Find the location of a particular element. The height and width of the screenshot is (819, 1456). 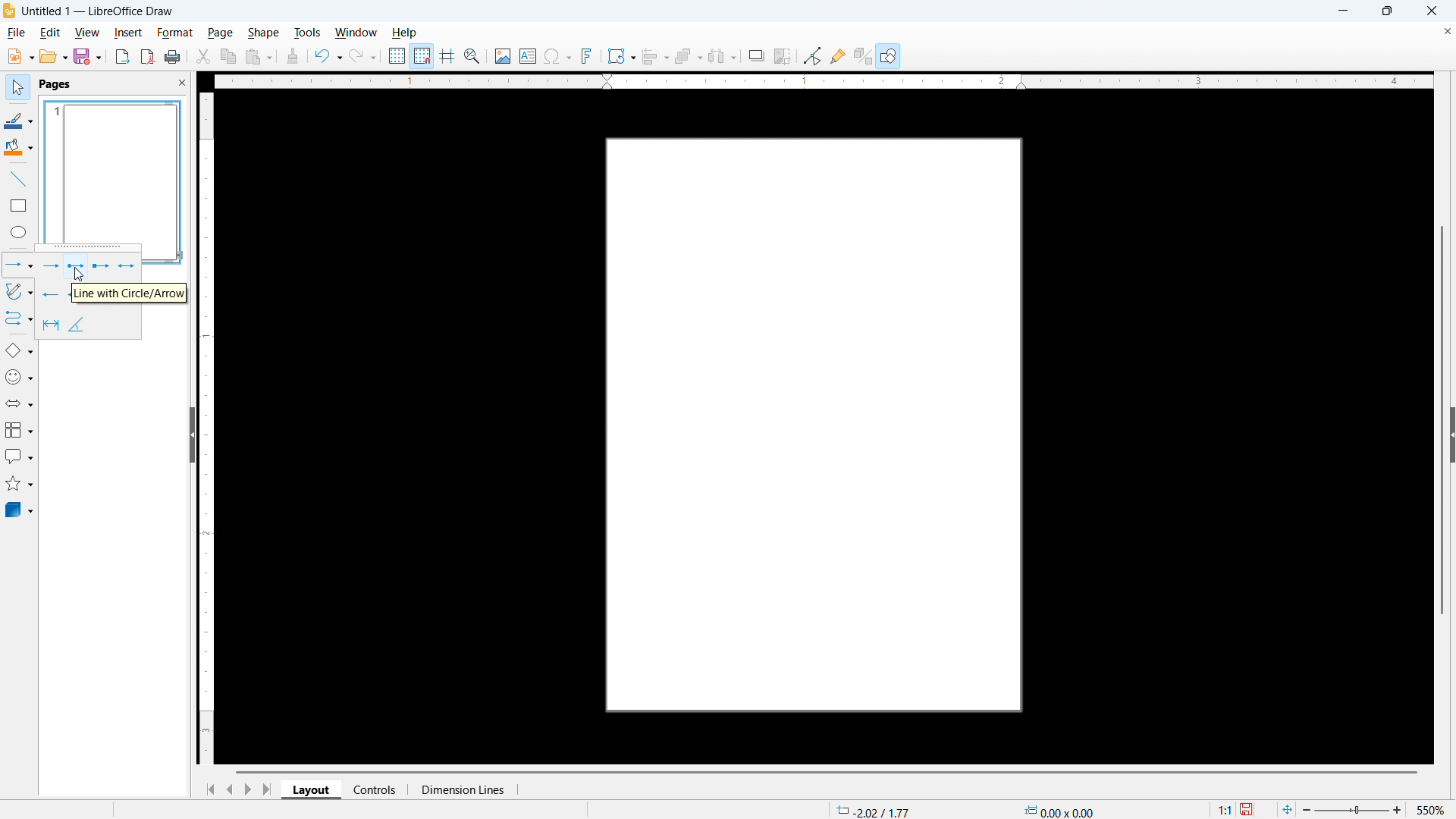

clone formatting  is located at coordinates (293, 57).